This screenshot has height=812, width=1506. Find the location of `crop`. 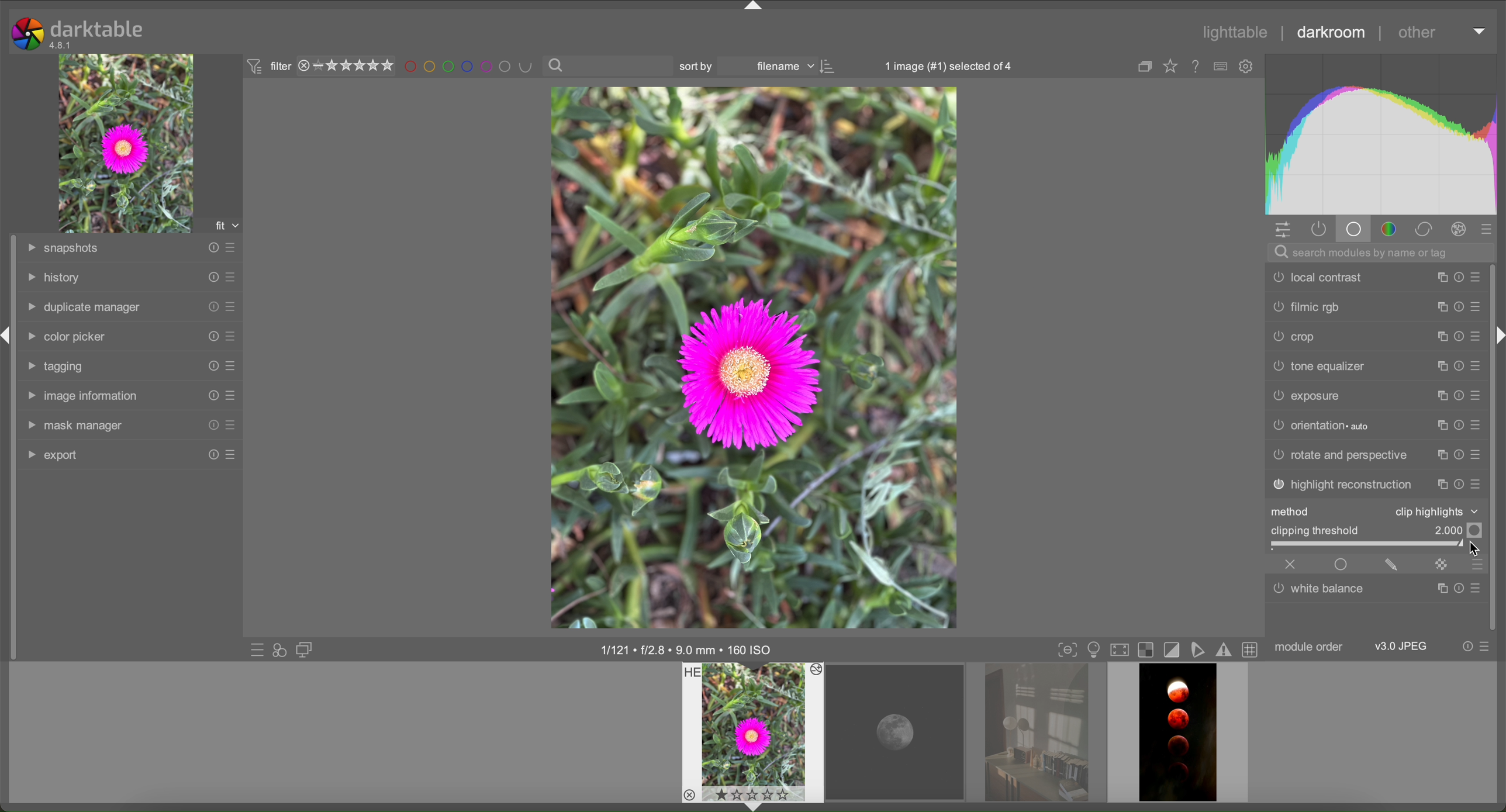

crop is located at coordinates (1296, 336).